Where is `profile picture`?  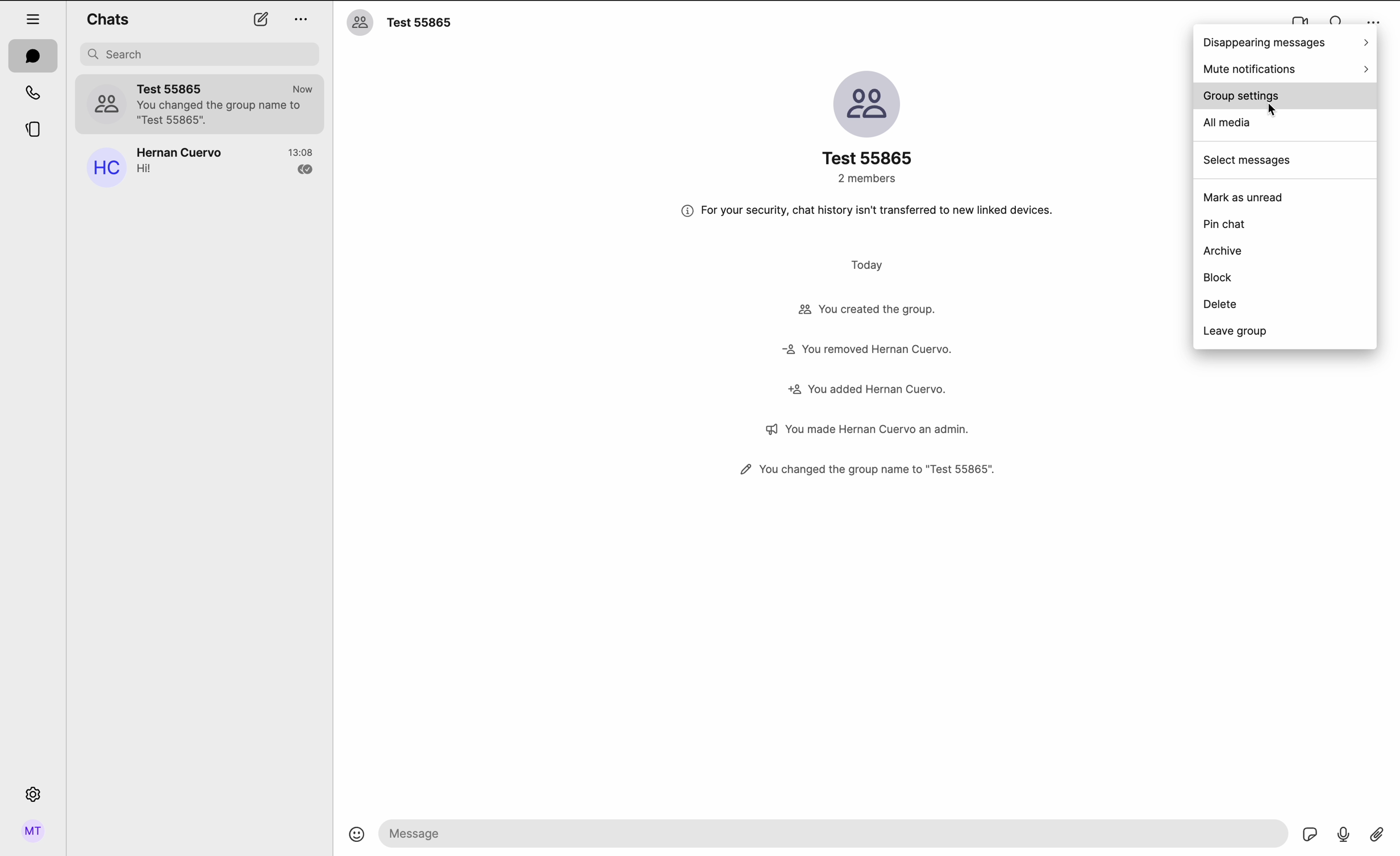
profile picture is located at coordinates (360, 23).